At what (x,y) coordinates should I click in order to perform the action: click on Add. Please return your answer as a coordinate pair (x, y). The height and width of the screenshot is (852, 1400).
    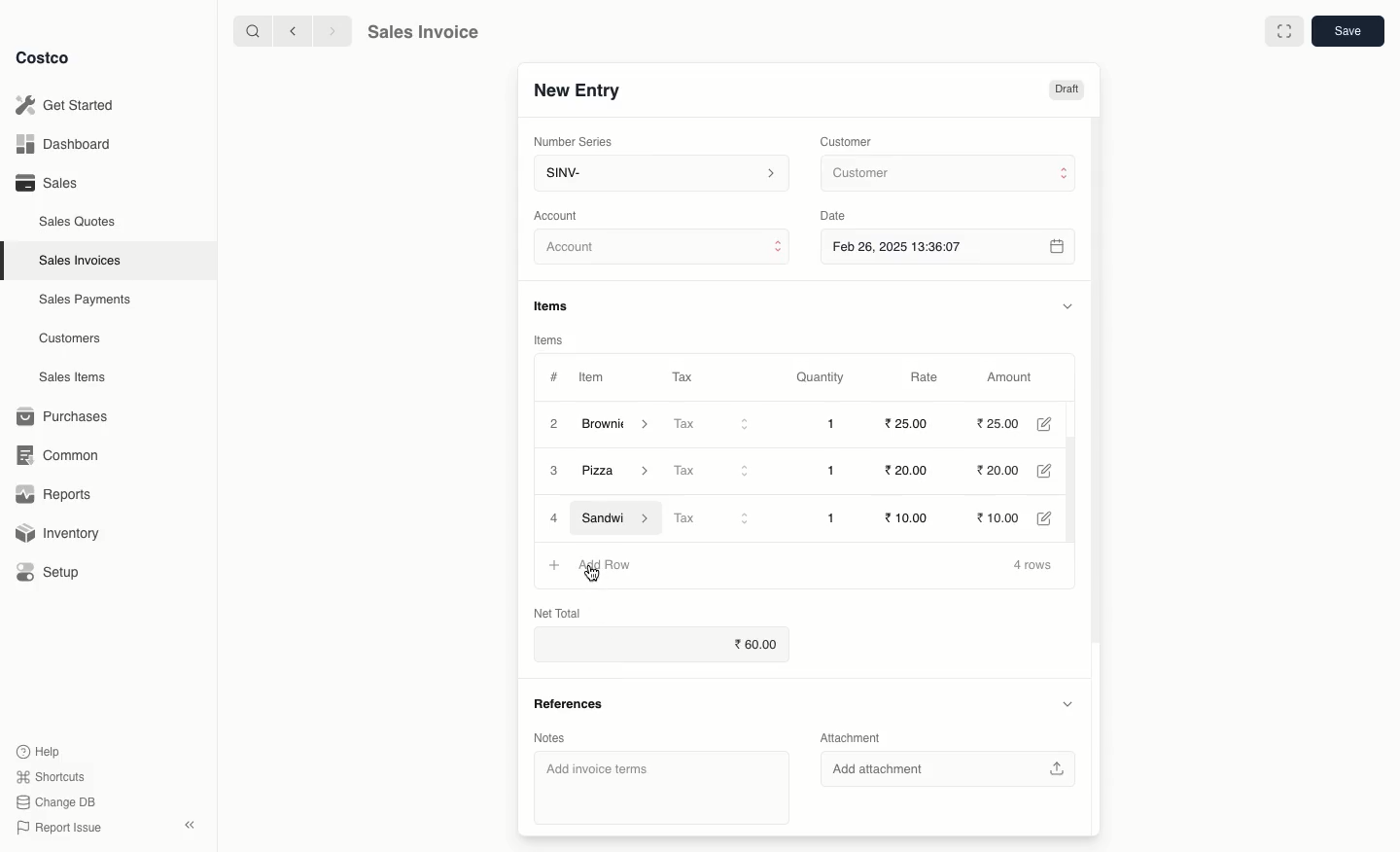
    Looking at the image, I should click on (556, 558).